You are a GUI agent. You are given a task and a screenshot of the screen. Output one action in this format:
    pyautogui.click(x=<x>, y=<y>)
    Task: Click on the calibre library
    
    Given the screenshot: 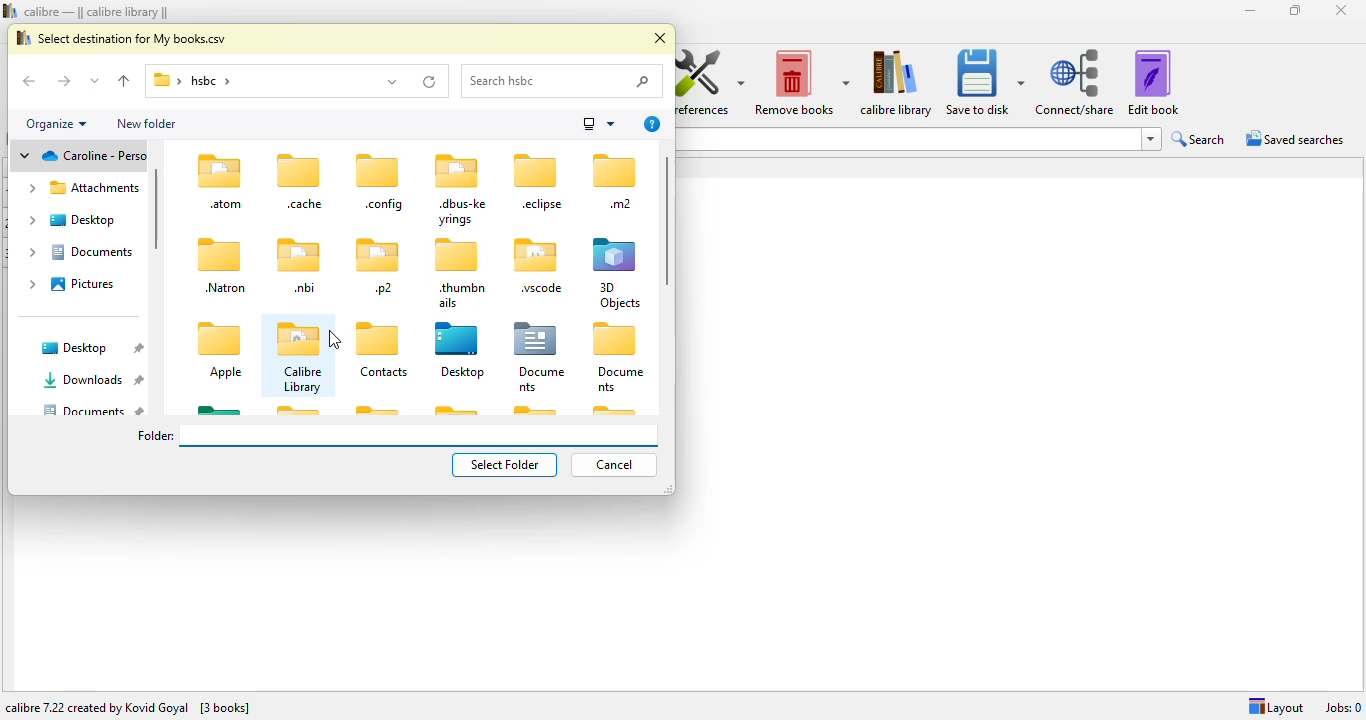 What is the action you would take?
    pyautogui.click(x=333, y=339)
    